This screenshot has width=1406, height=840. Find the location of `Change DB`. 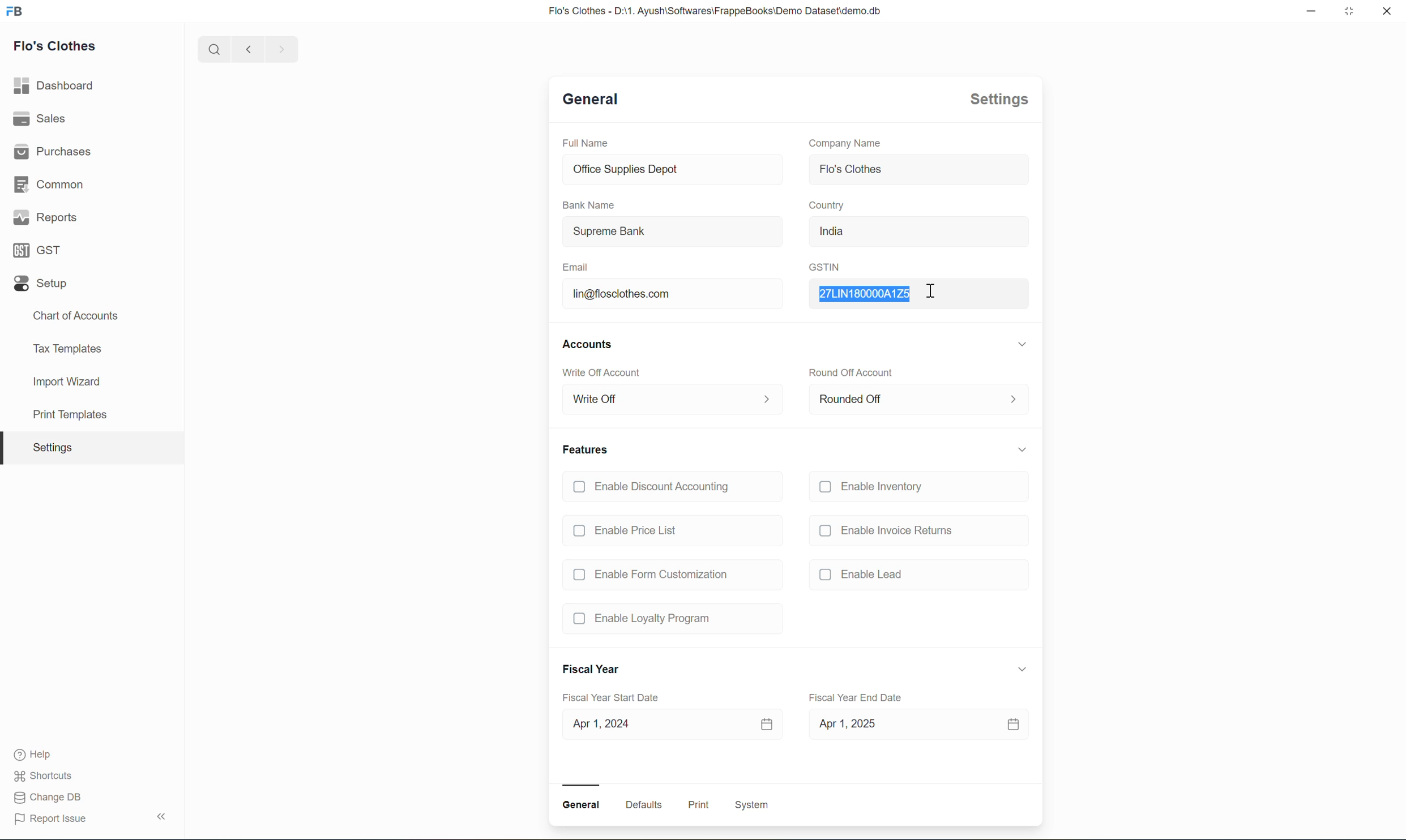

Change DB is located at coordinates (48, 797).